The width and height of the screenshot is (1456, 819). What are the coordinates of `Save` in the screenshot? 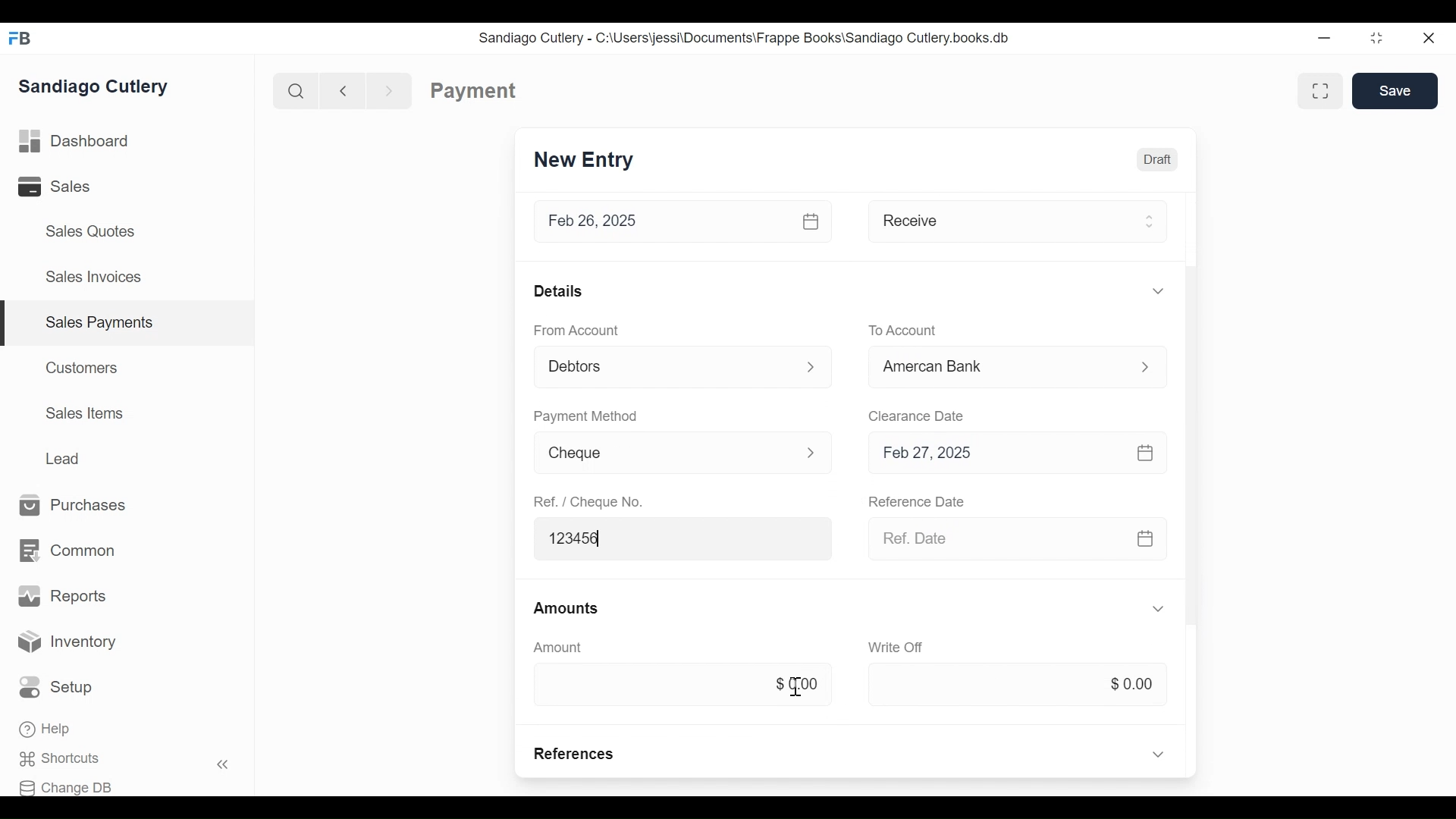 It's located at (1395, 90).